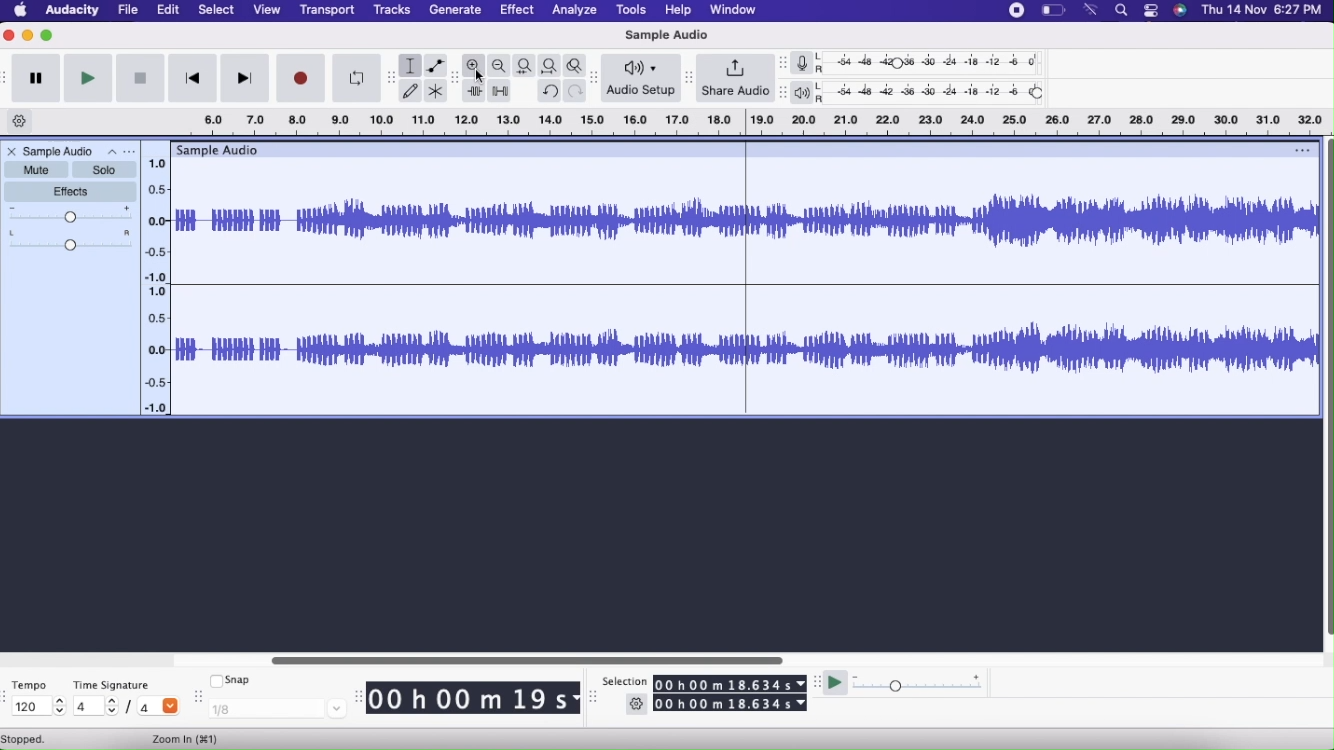  Describe the element at coordinates (637, 704) in the screenshot. I see `Settings` at that location.